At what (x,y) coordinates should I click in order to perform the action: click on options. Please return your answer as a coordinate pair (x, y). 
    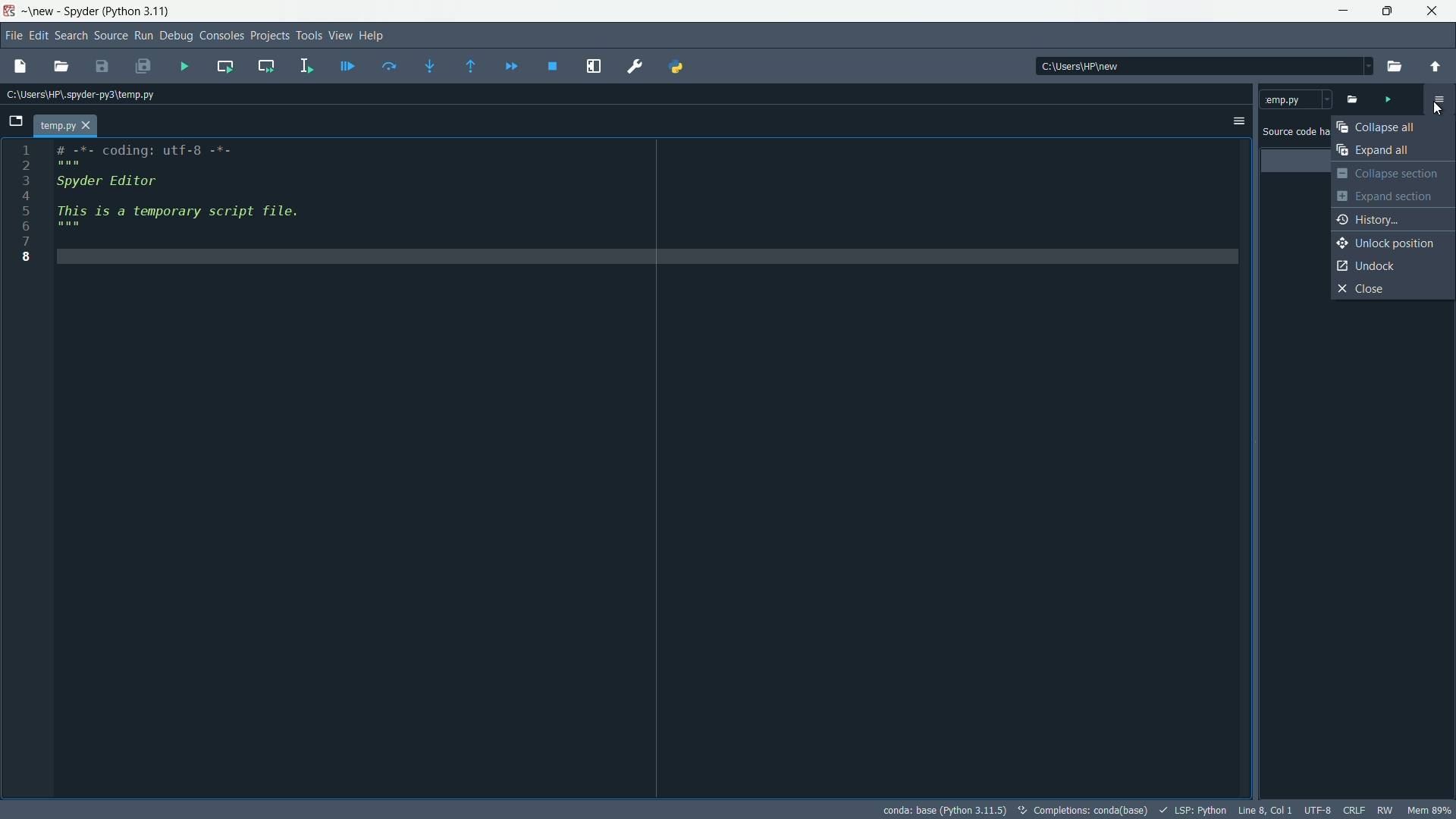
    Looking at the image, I should click on (1237, 121).